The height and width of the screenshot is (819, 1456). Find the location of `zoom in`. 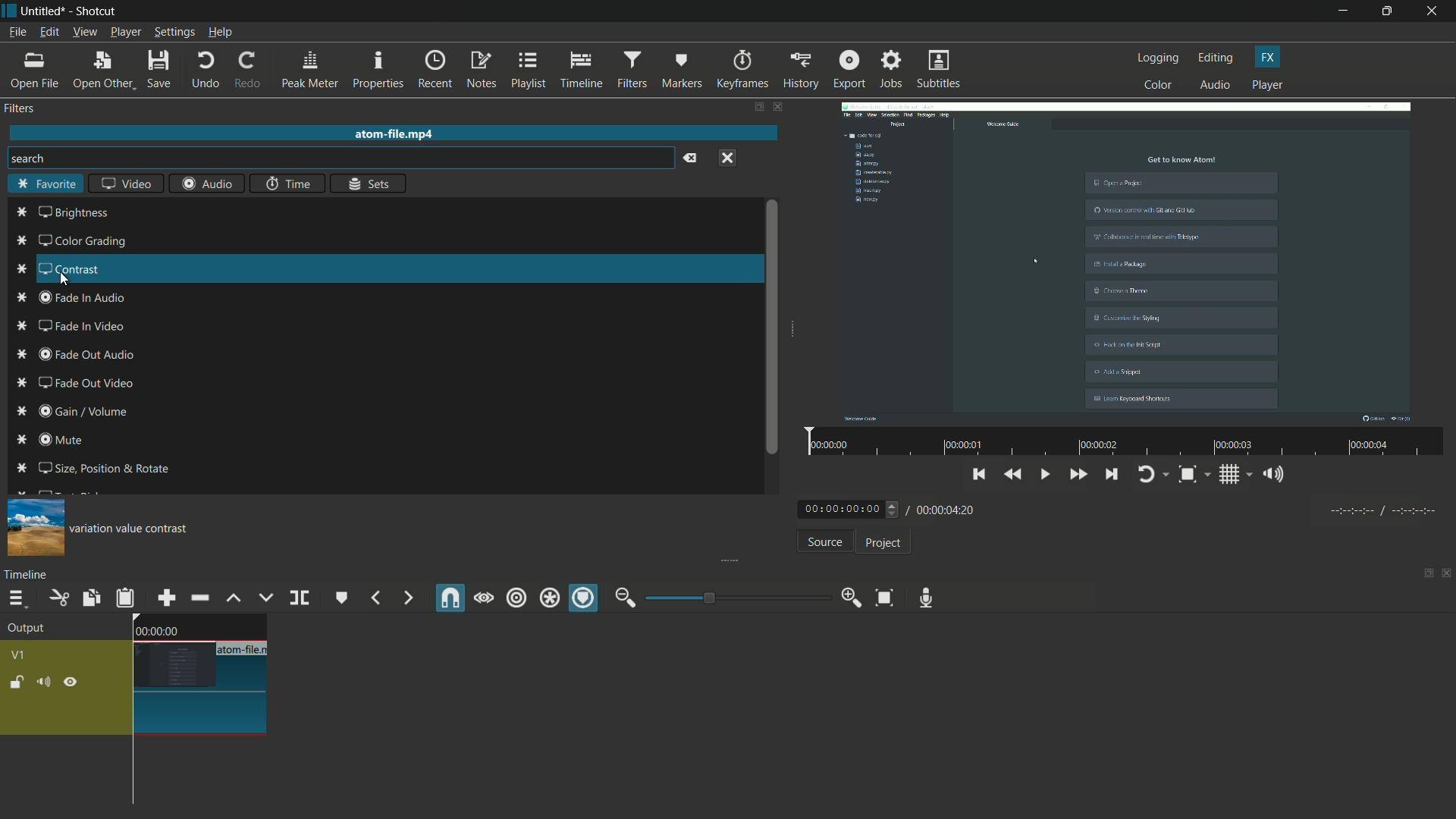

zoom in is located at coordinates (848, 598).